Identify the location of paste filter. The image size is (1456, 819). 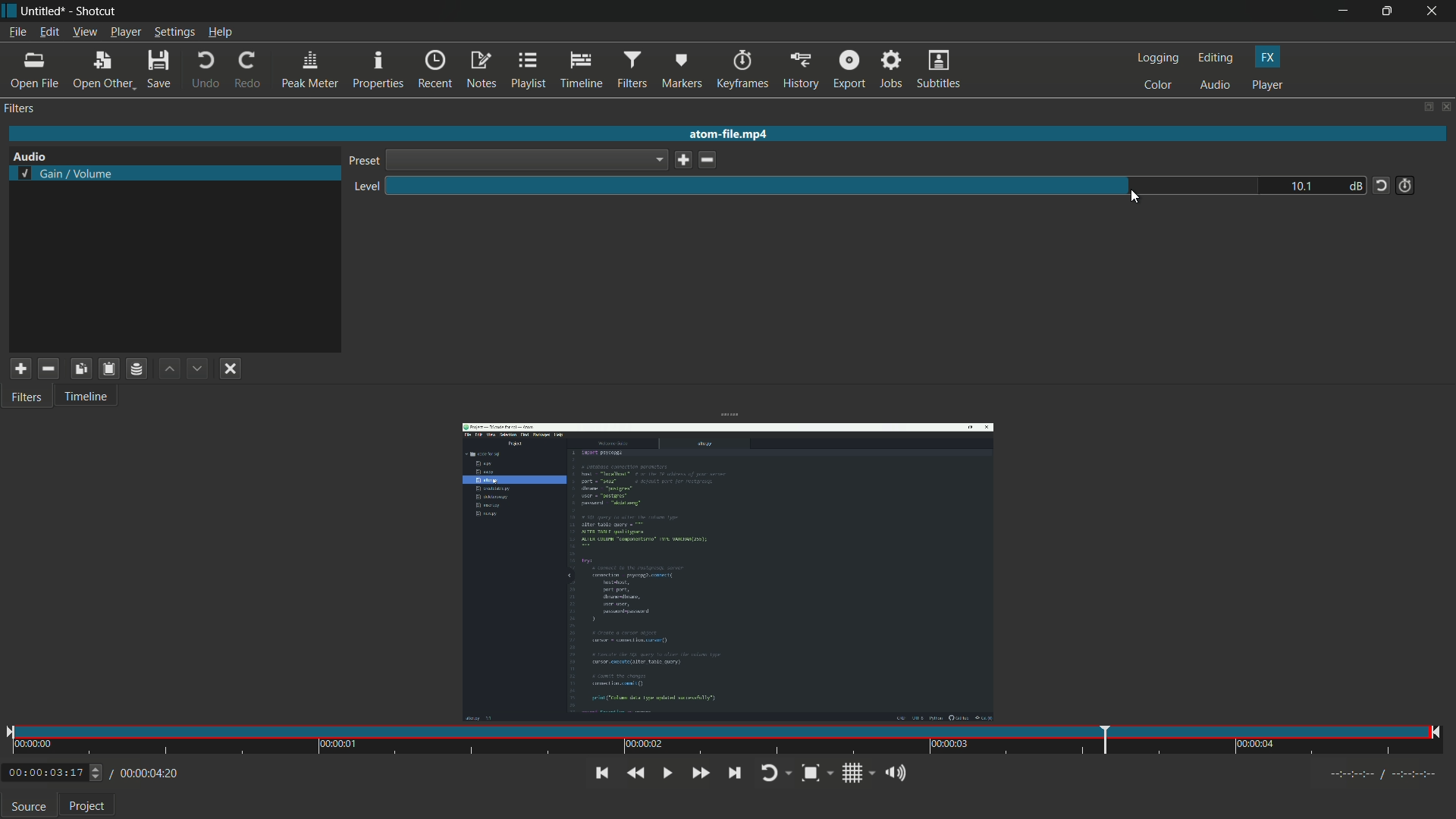
(110, 369).